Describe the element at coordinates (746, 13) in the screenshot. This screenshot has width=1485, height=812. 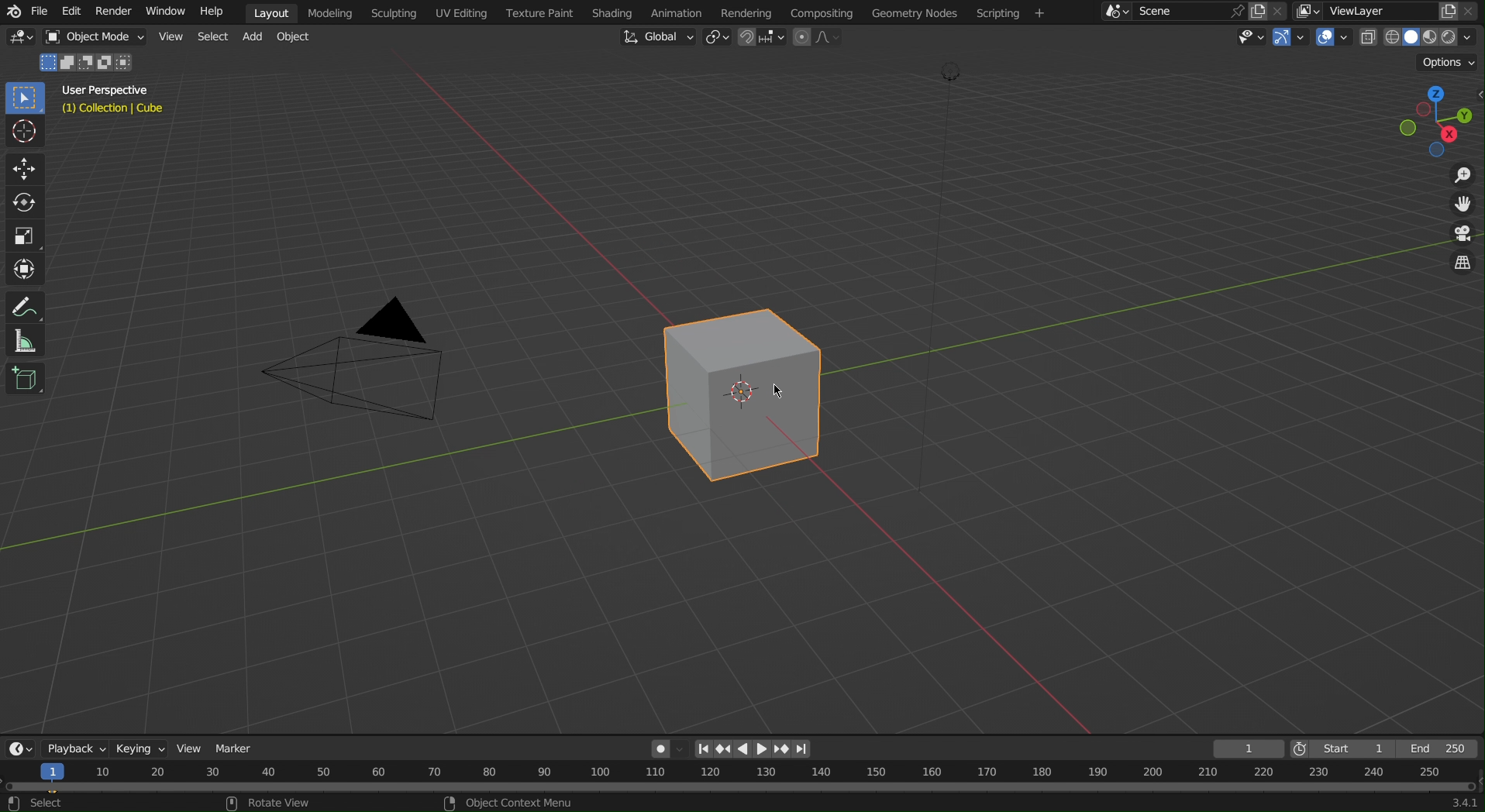
I see `Rendering` at that location.